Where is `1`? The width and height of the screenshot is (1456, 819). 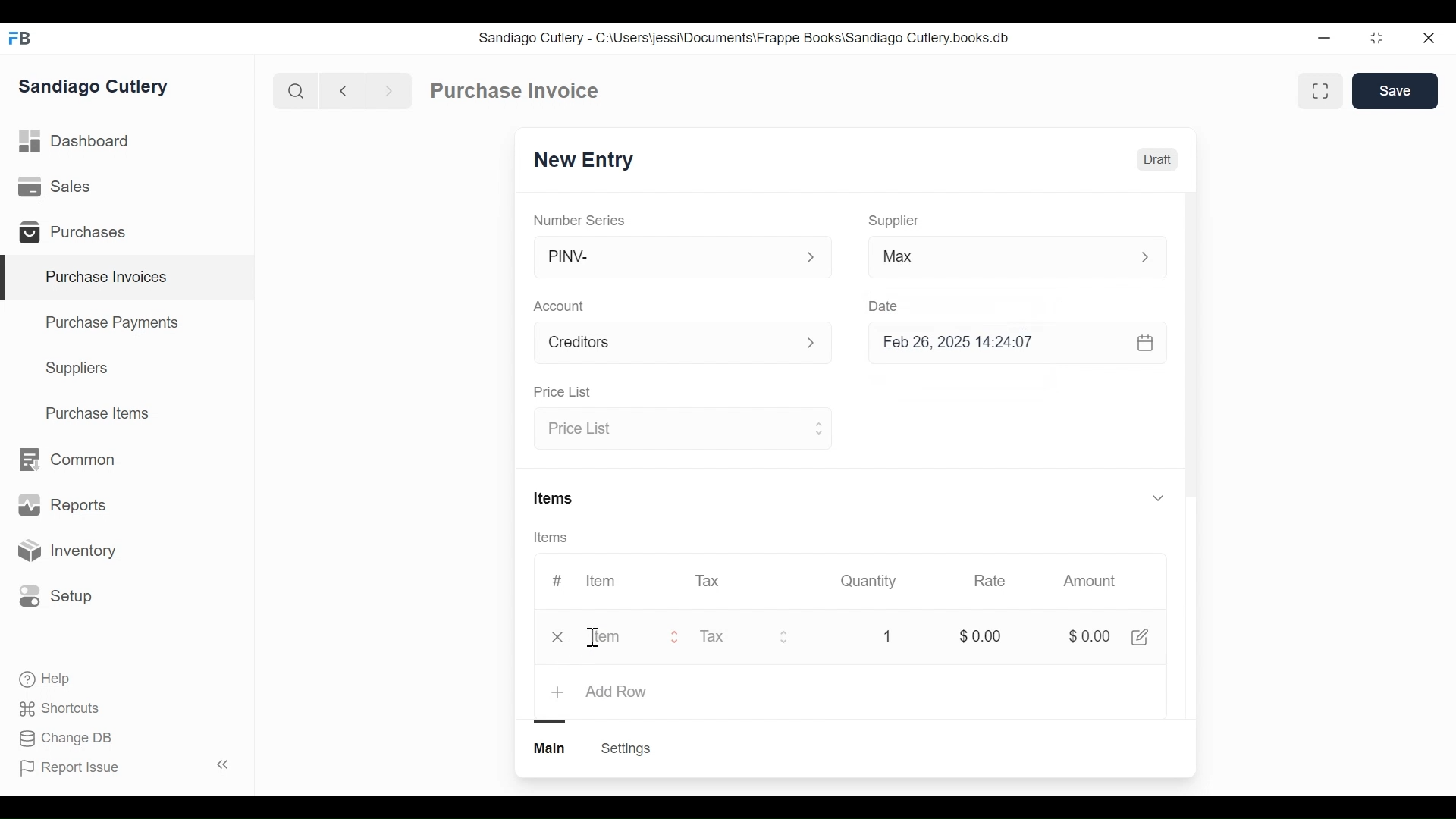 1 is located at coordinates (885, 636).